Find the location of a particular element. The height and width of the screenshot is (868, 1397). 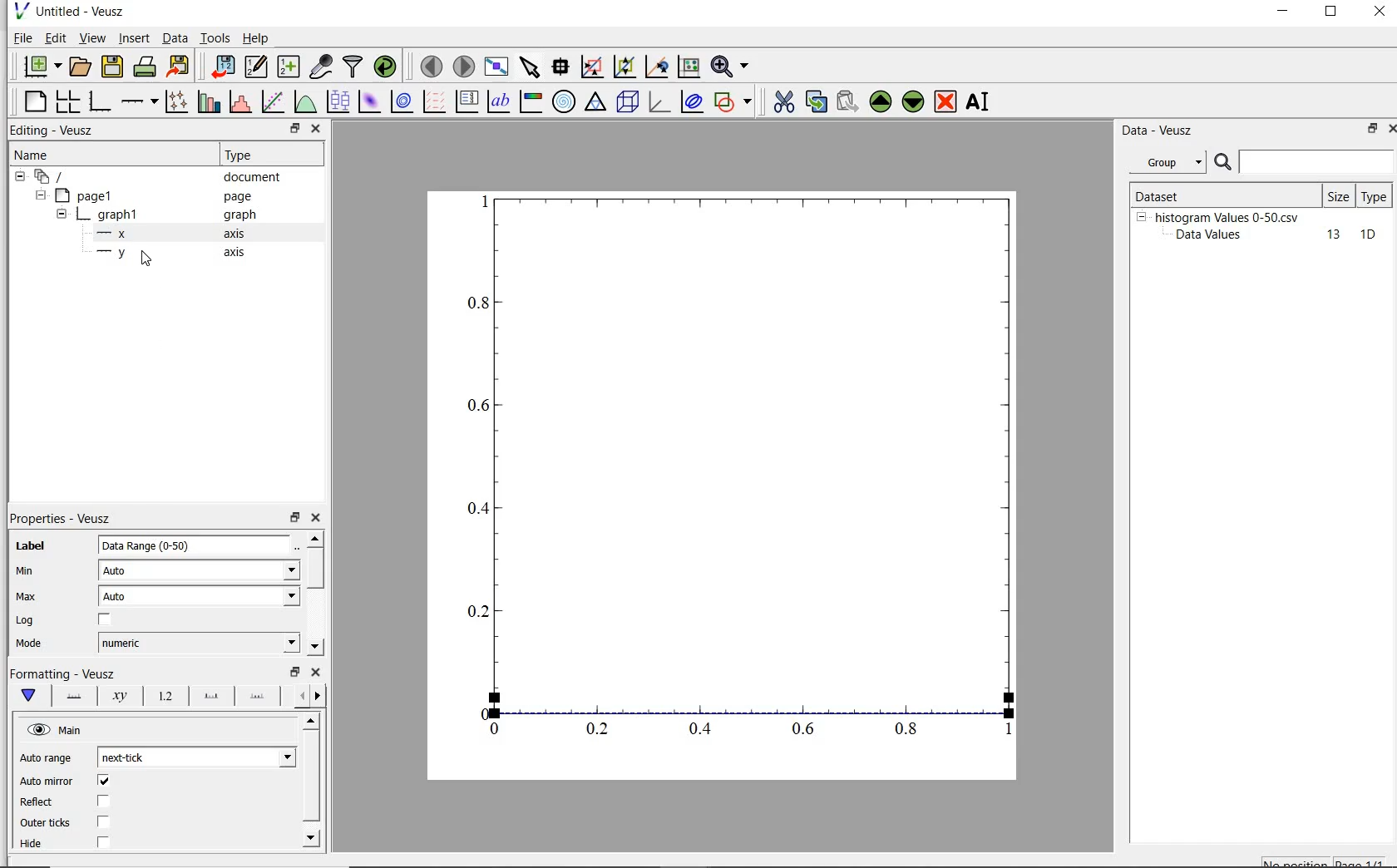

add axis on the plot is located at coordinates (139, 100).